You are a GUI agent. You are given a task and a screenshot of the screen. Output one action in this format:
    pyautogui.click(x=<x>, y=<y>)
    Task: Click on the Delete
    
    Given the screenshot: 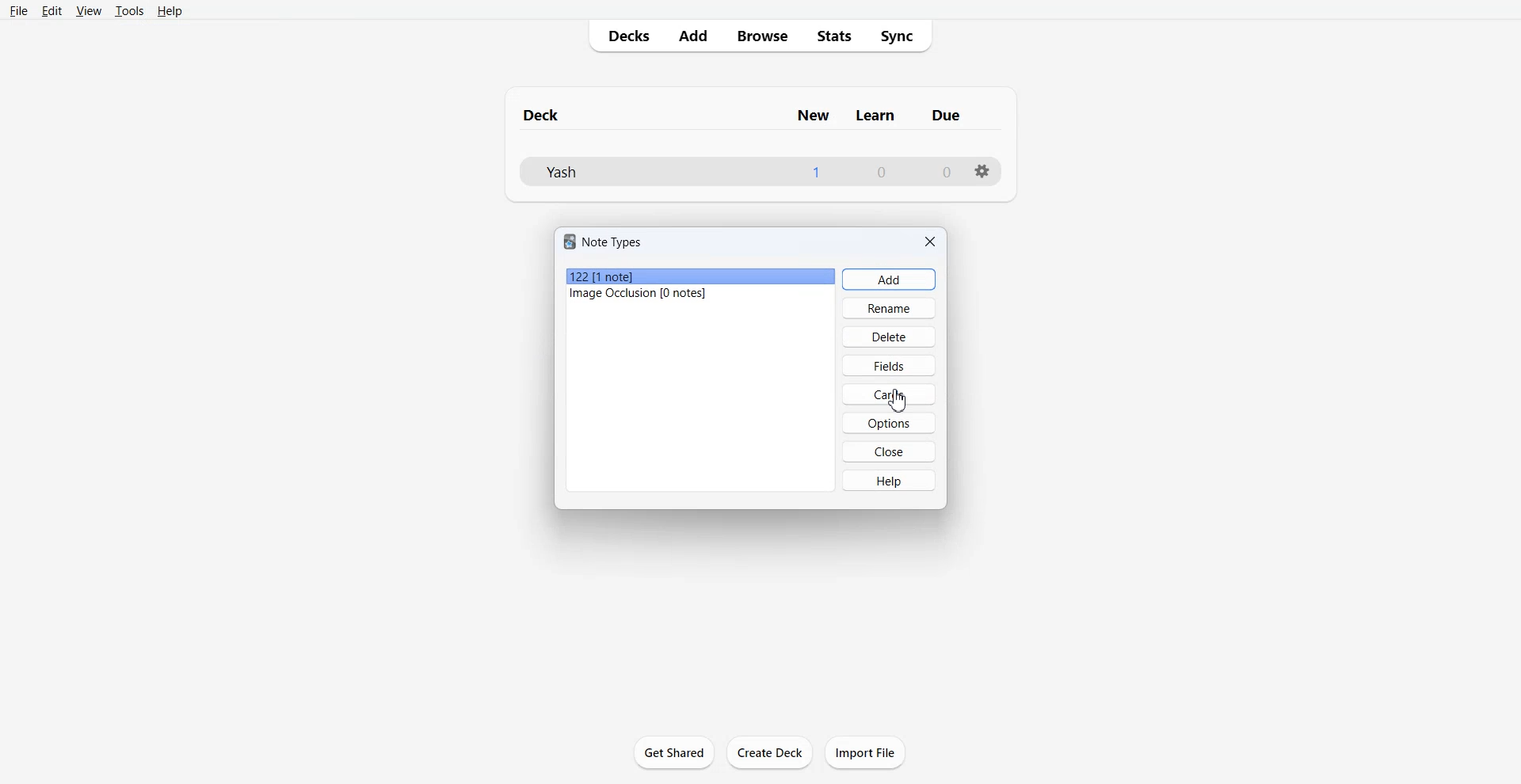 What is the action you would take?
    pyautogui.click(x=889, y=336)
    